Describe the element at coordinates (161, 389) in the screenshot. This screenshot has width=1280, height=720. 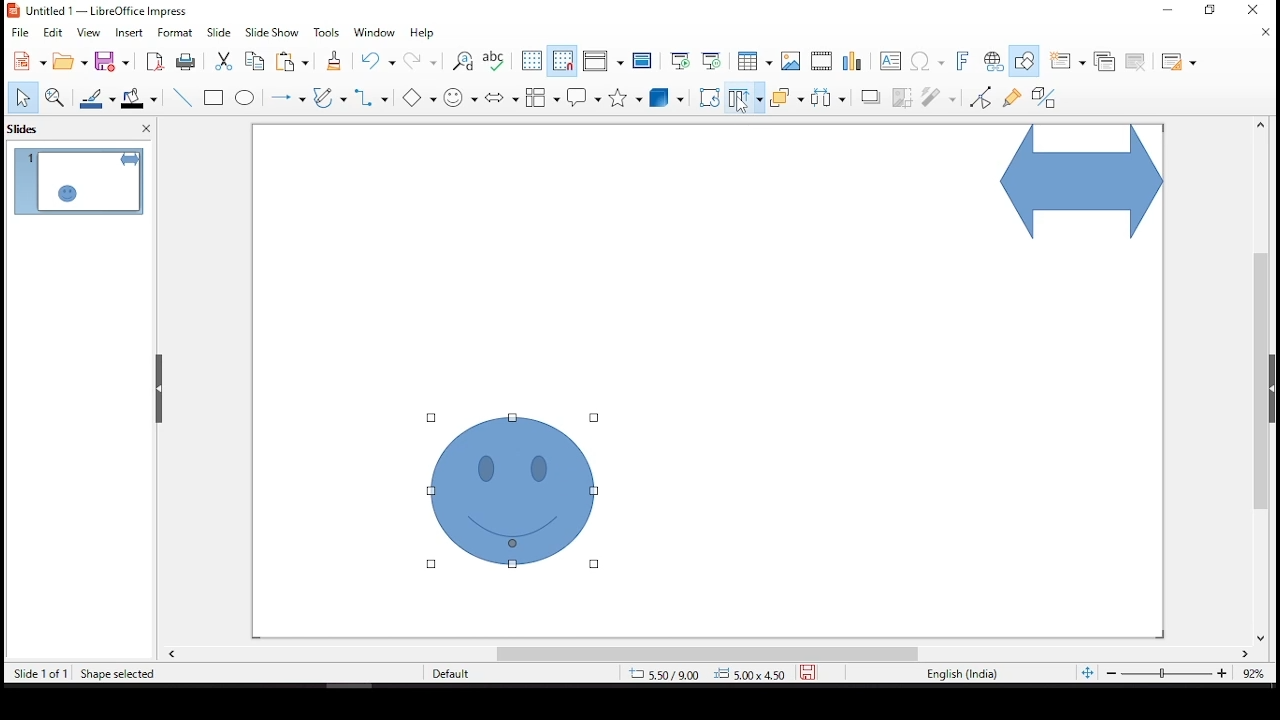
I see `drag handle` at that location.